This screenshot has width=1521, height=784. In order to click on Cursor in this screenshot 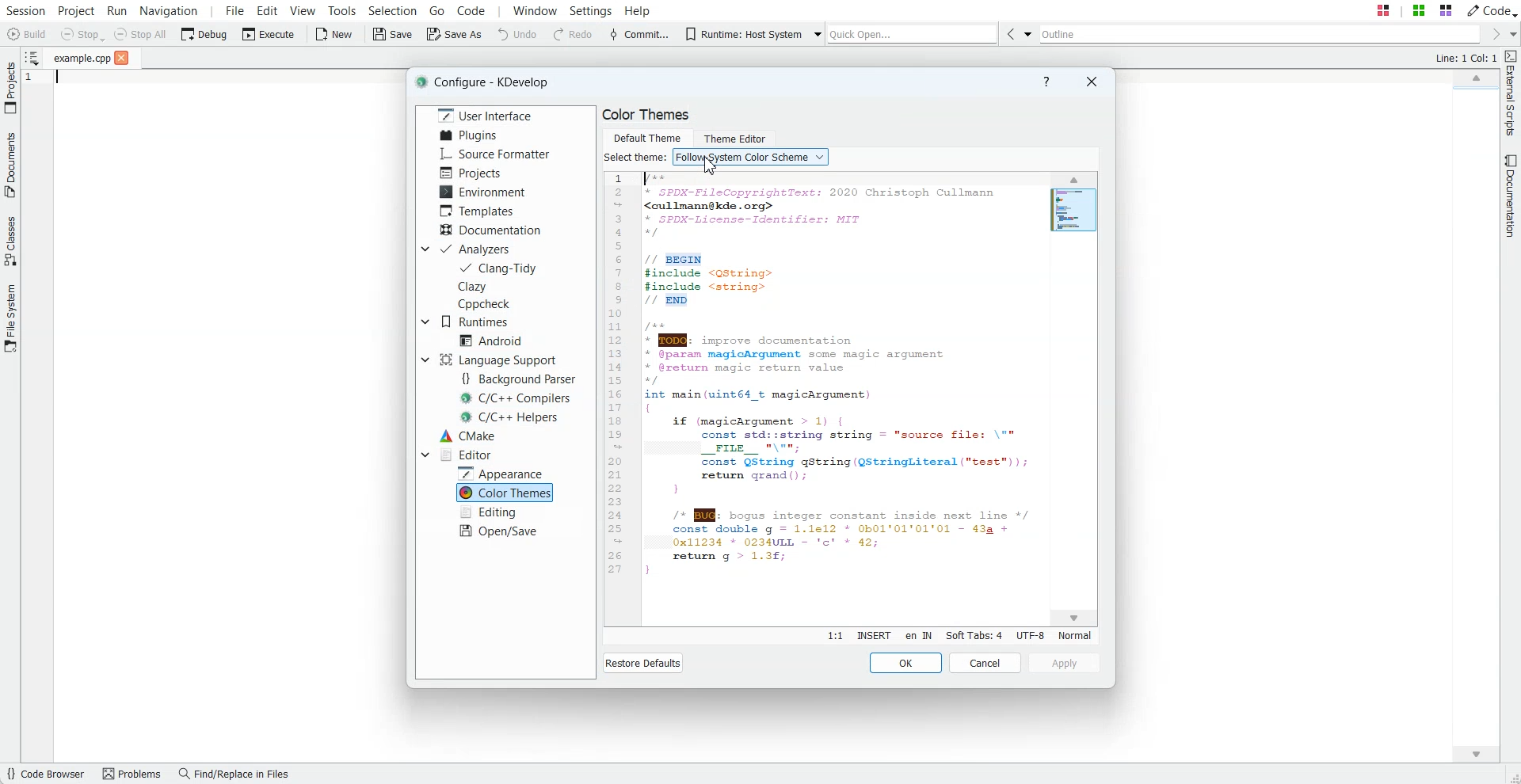, I will do `click(707, 166)`.